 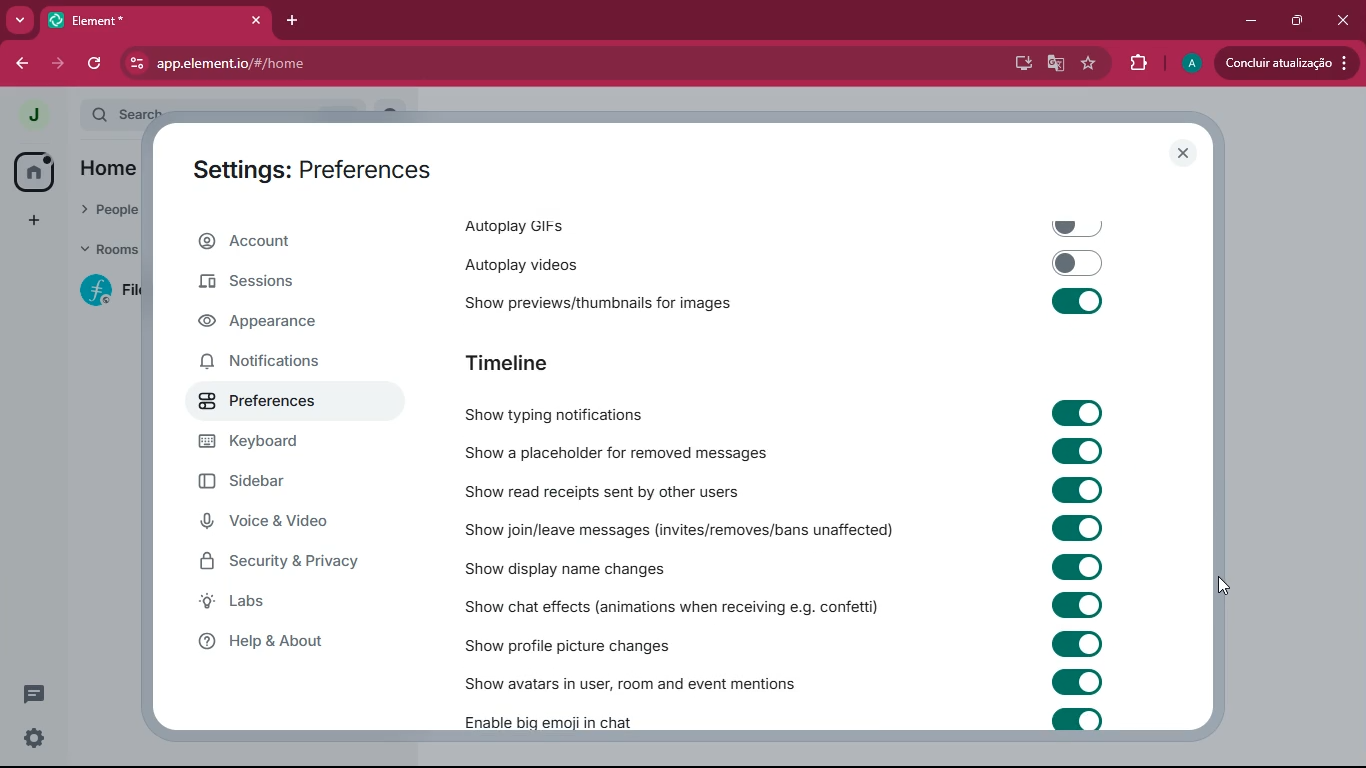 I want to click on extensions, so click(x=1138, y=63).